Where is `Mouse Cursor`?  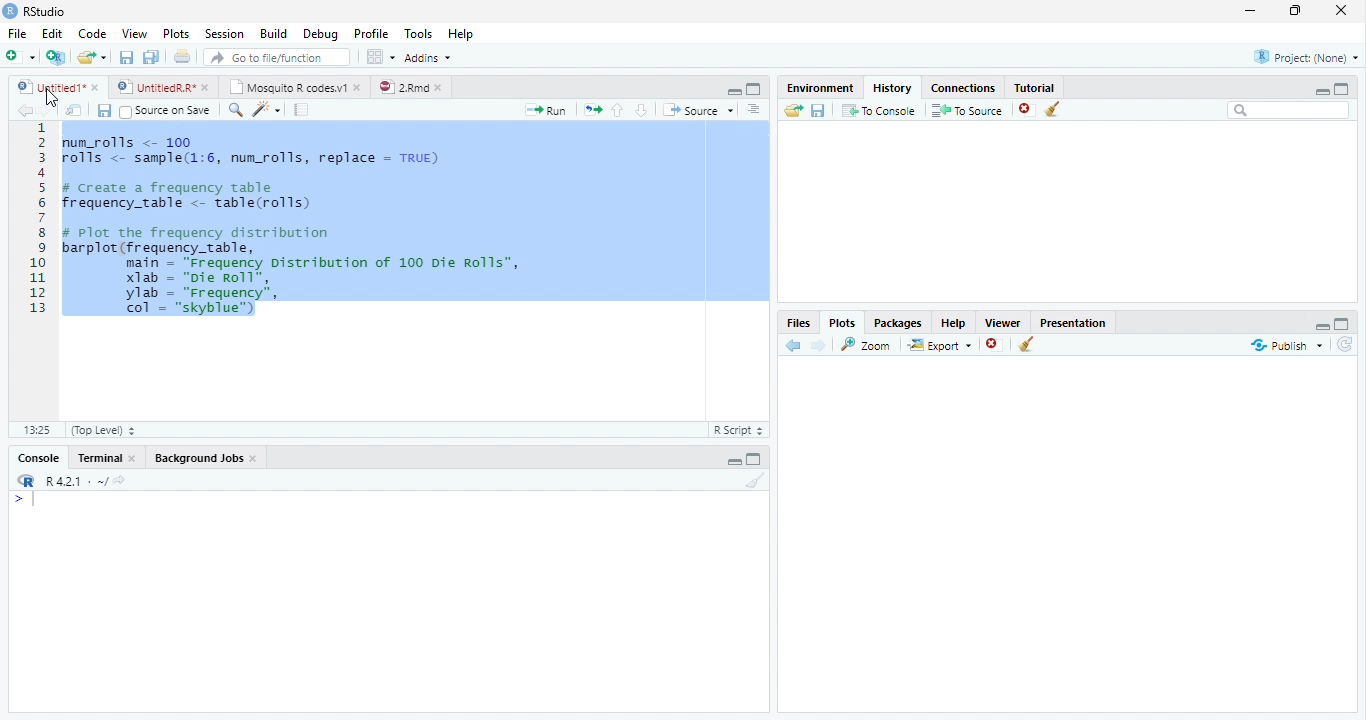 Mouse Cursor is located at coordinates (56, 100).